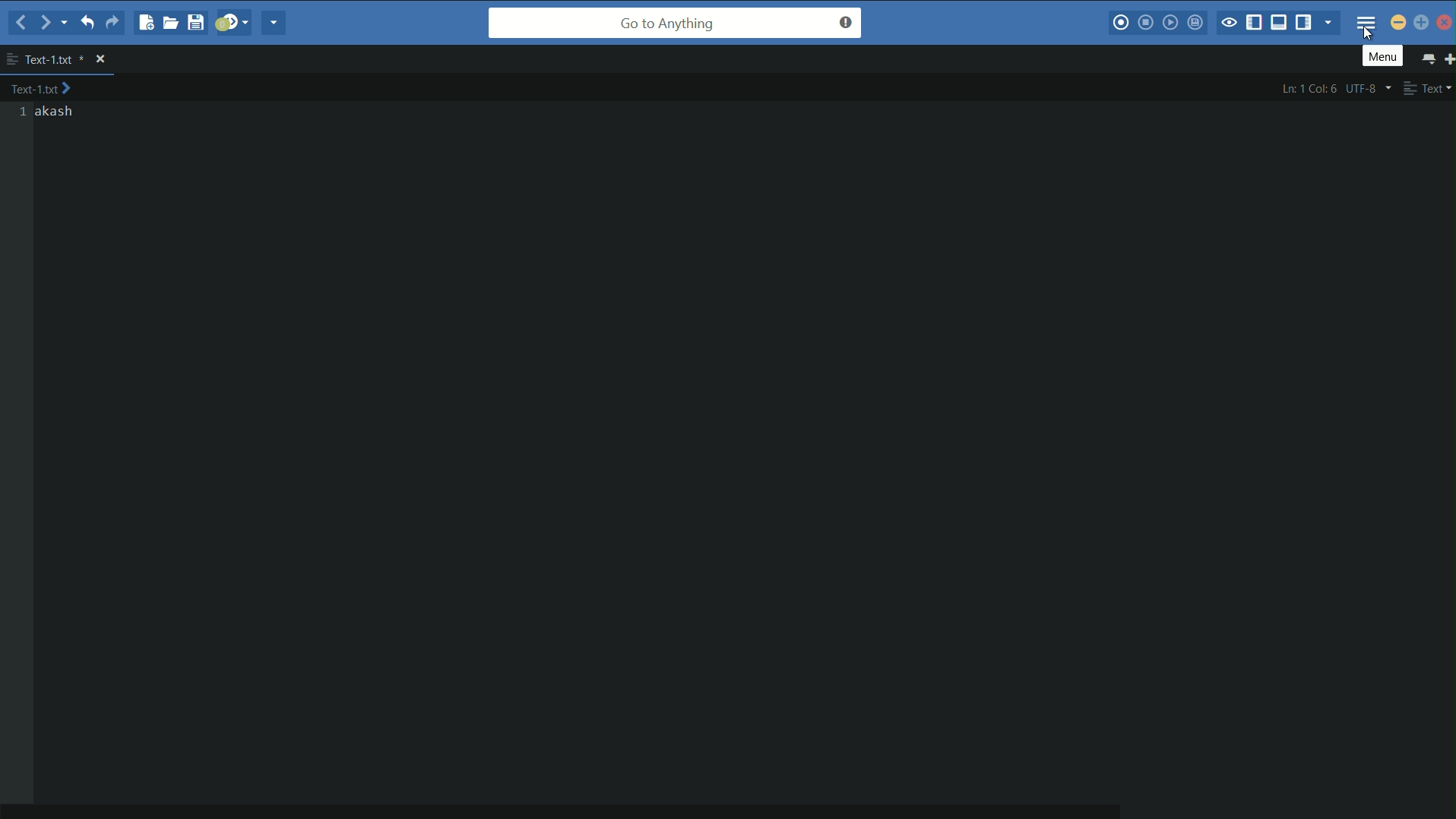 Image resolution: width=1456 pixels, height=819 pixels. What do you see at coordinates (172, 22) in the screenshot?
I see `open a file` at bounding box center [172, 22].